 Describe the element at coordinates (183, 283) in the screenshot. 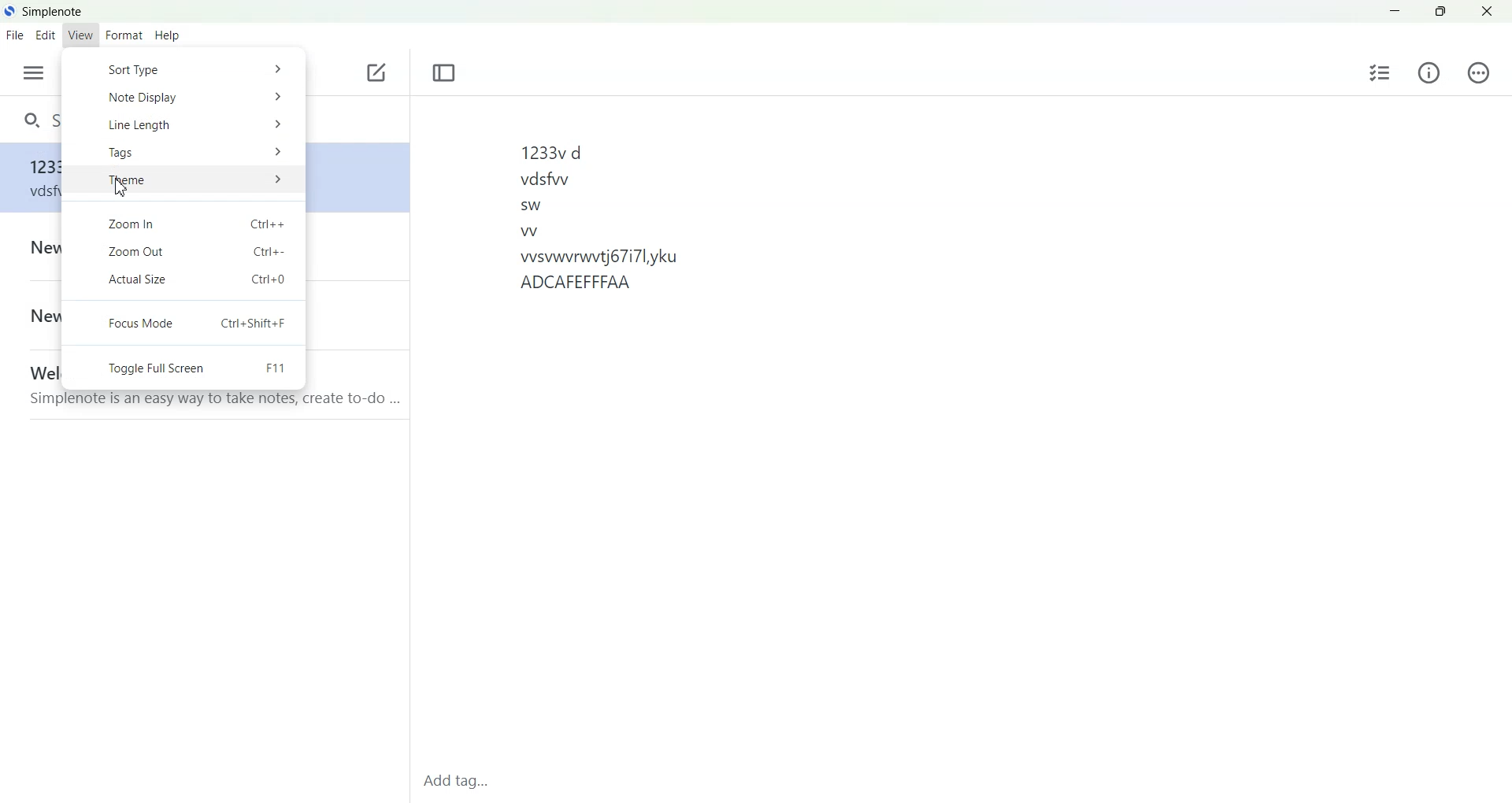

I see `Actual Size` at that location.